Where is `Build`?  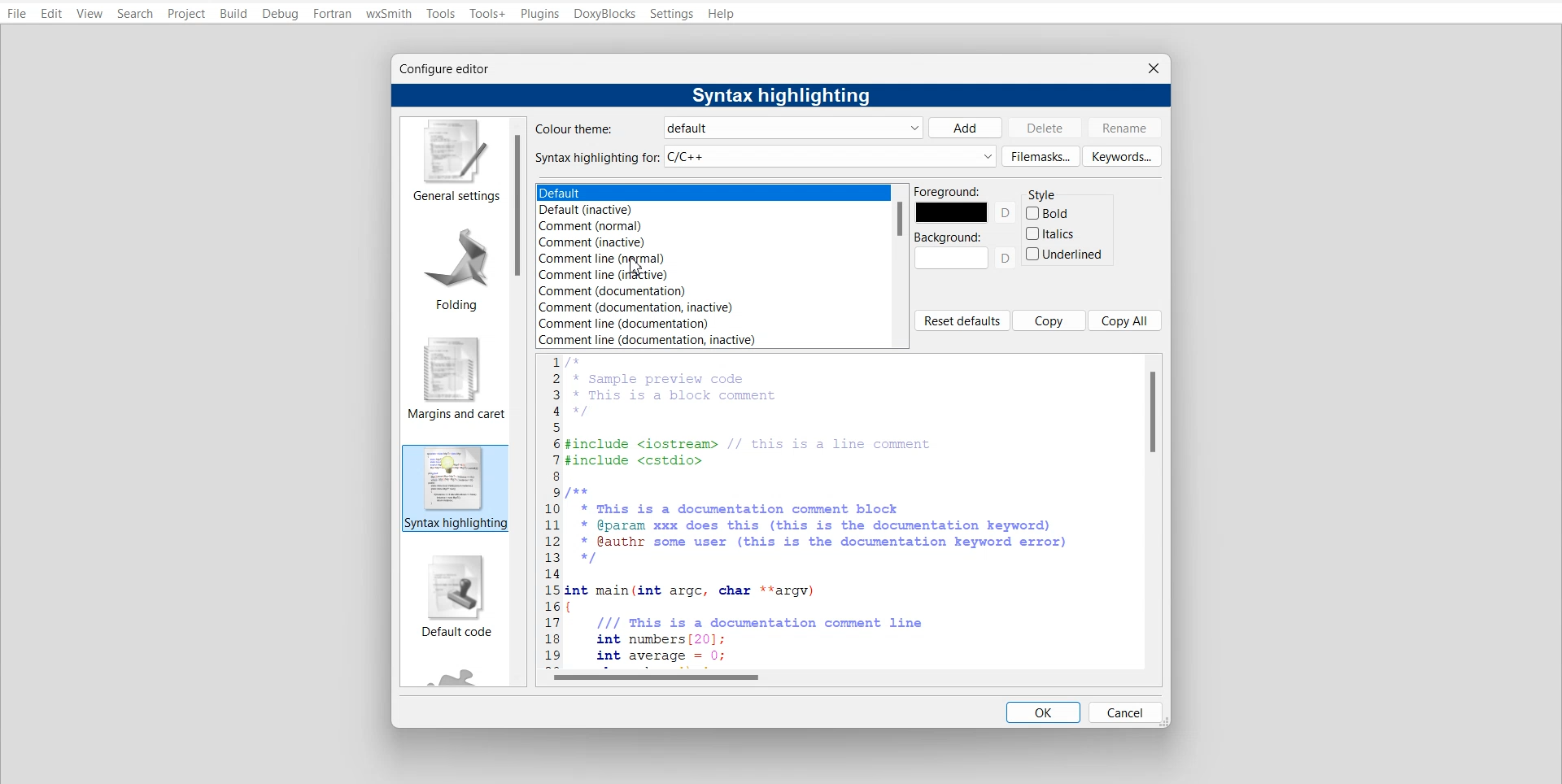 Build is located at coordinates (233, 13).